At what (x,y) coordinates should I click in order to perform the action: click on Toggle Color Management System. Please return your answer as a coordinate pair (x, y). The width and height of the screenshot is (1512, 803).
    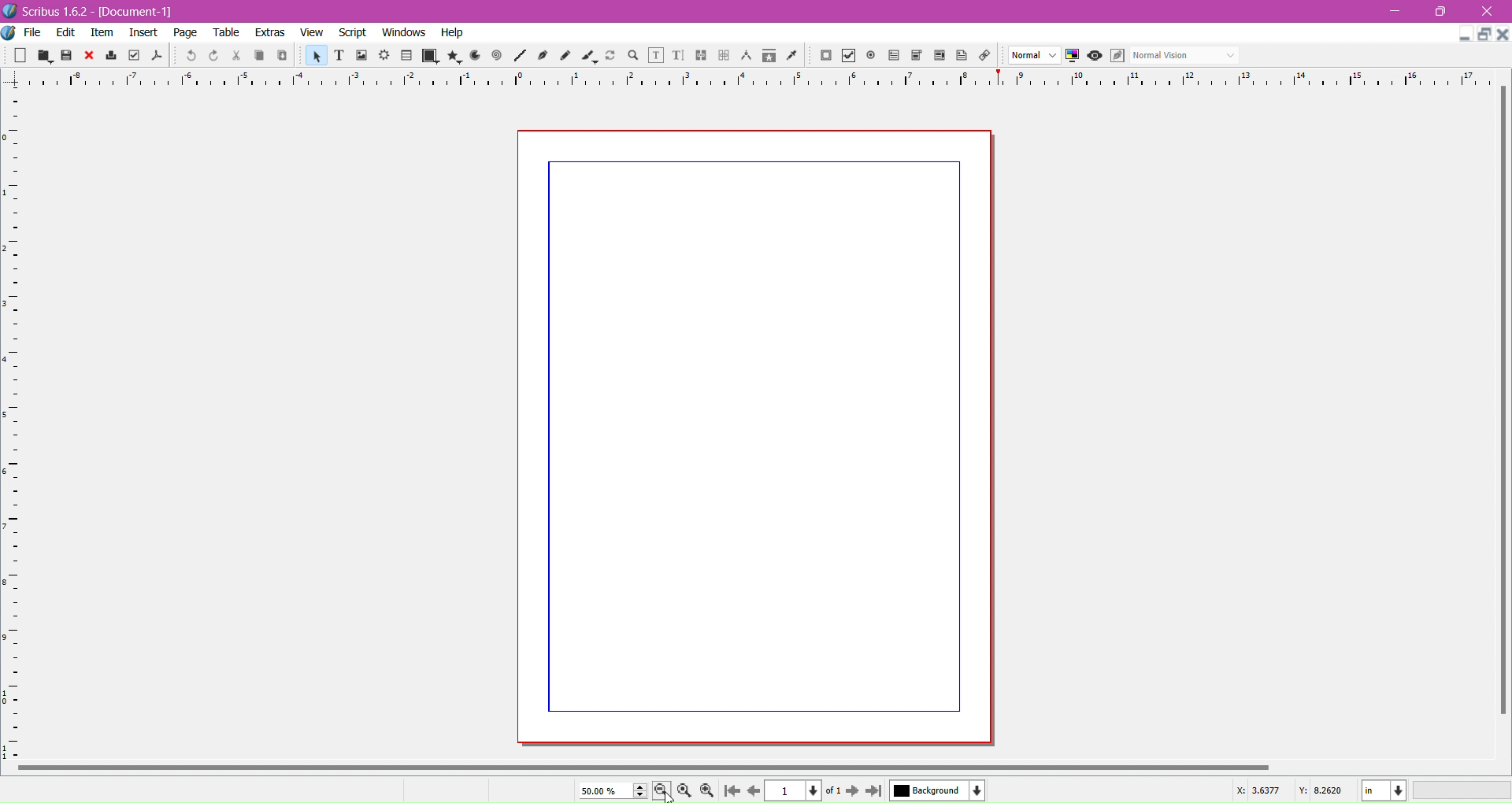
    Looking at the image, I should click on (1072, 55).